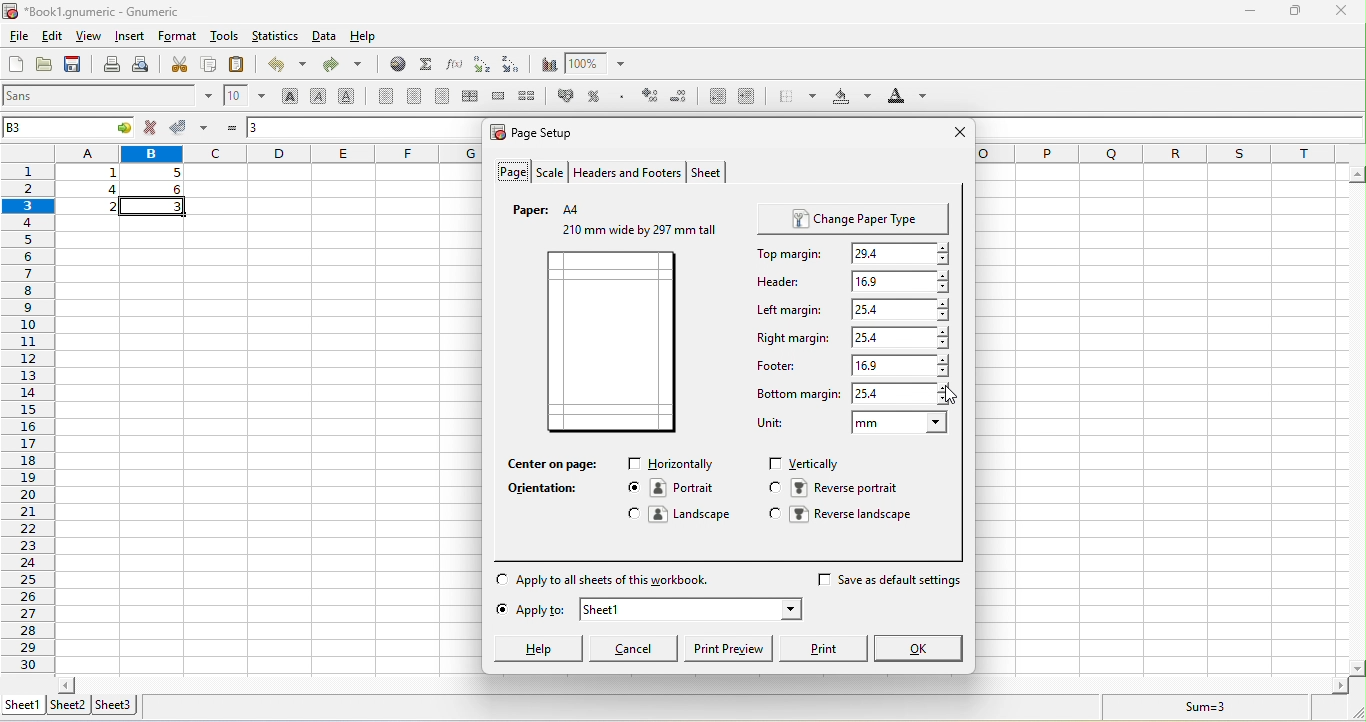 This screenshot has height=722, width=1366. I want to click on font size, so click(244, 97).